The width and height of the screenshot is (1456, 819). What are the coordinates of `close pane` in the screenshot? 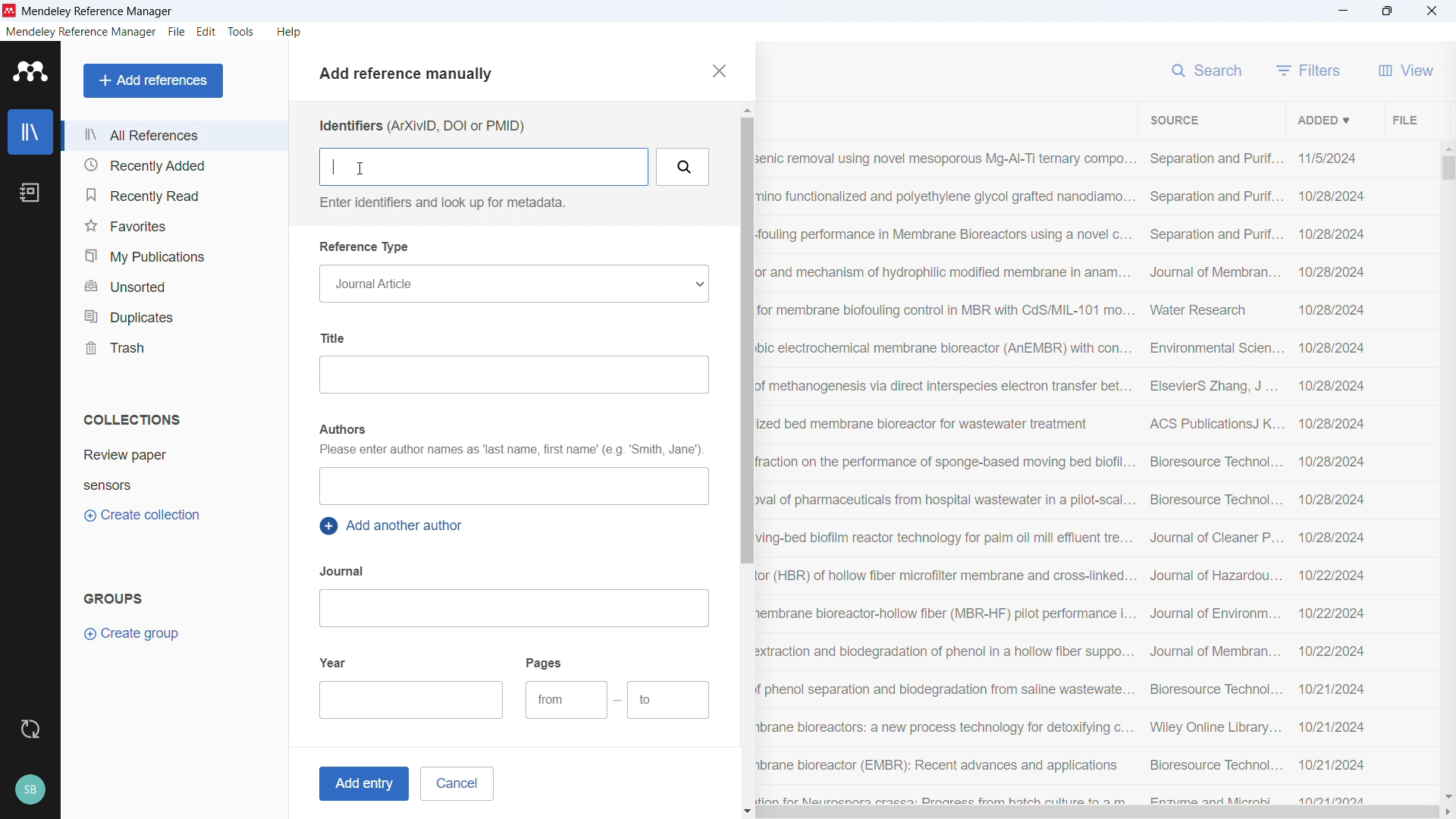 It's located at (717, 71).